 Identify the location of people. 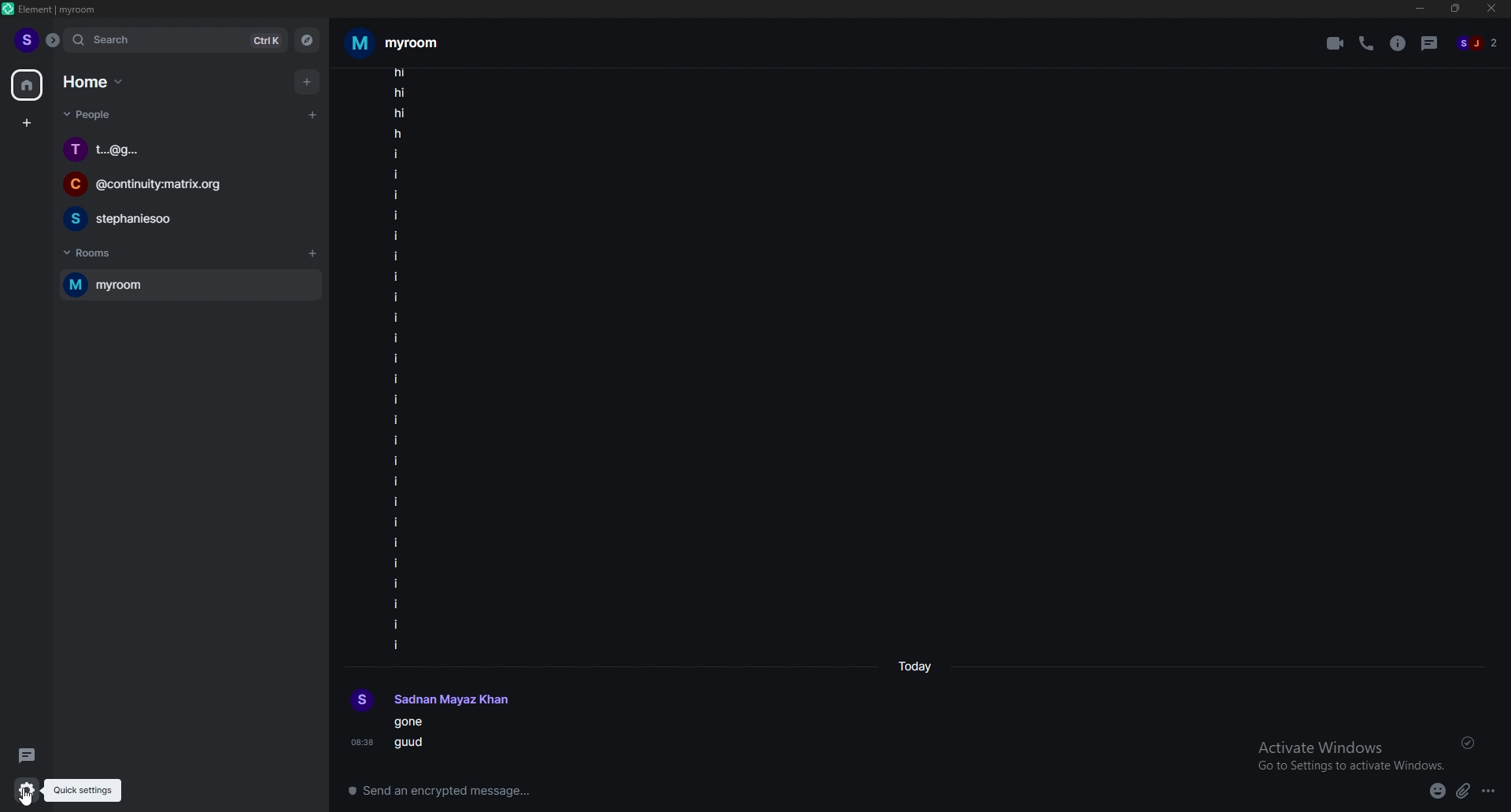
(1476, 42).